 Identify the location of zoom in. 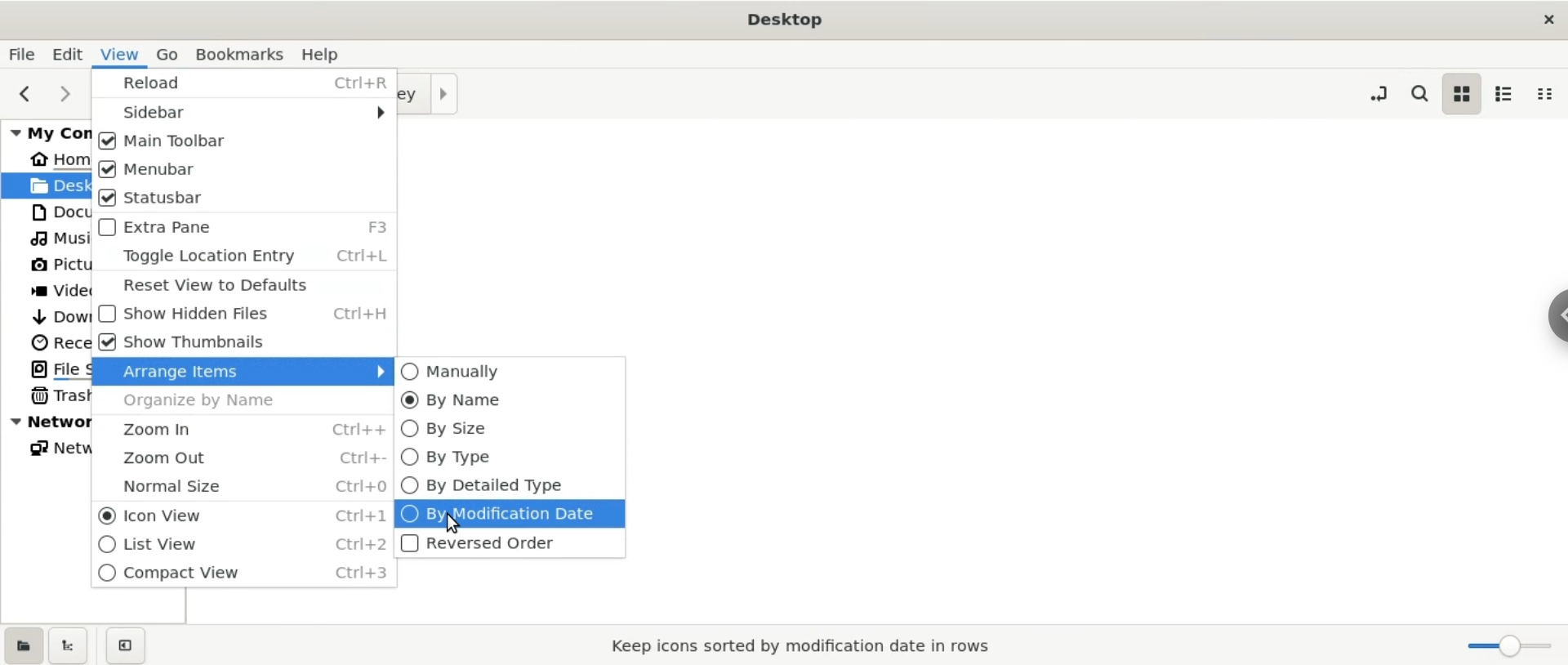
(238, 431).